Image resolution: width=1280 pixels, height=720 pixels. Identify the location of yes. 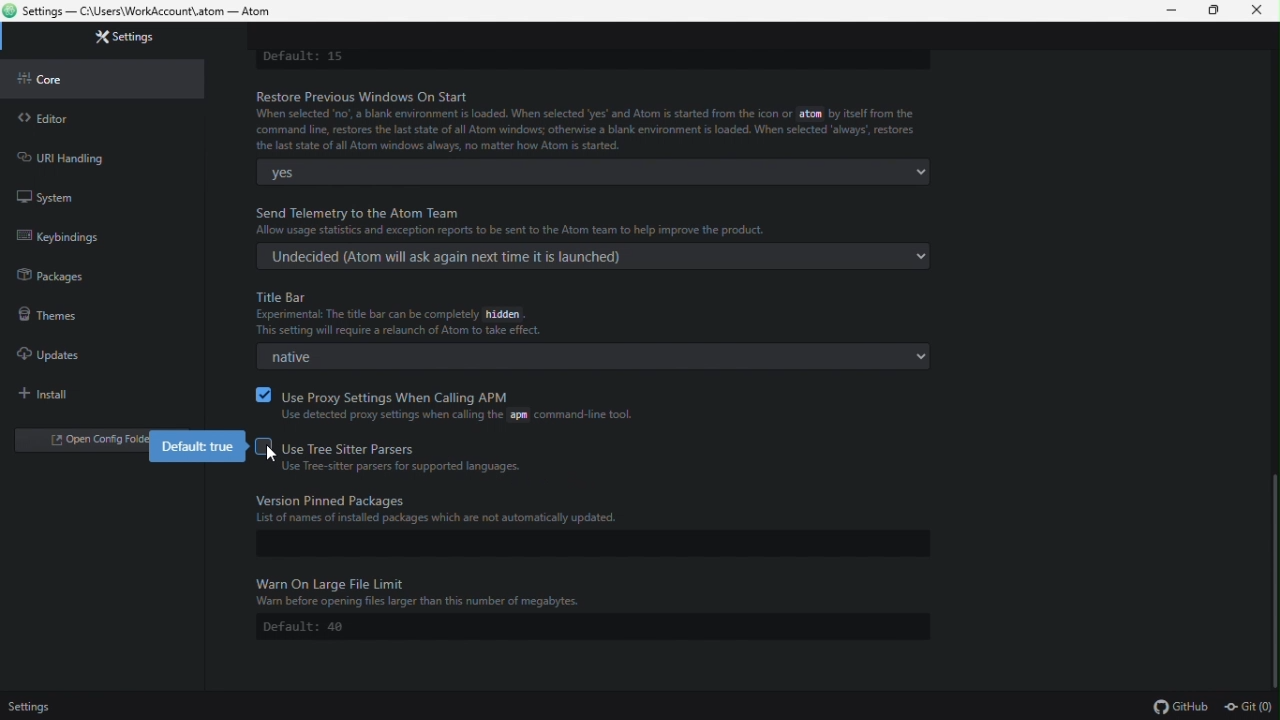
(594, 172).